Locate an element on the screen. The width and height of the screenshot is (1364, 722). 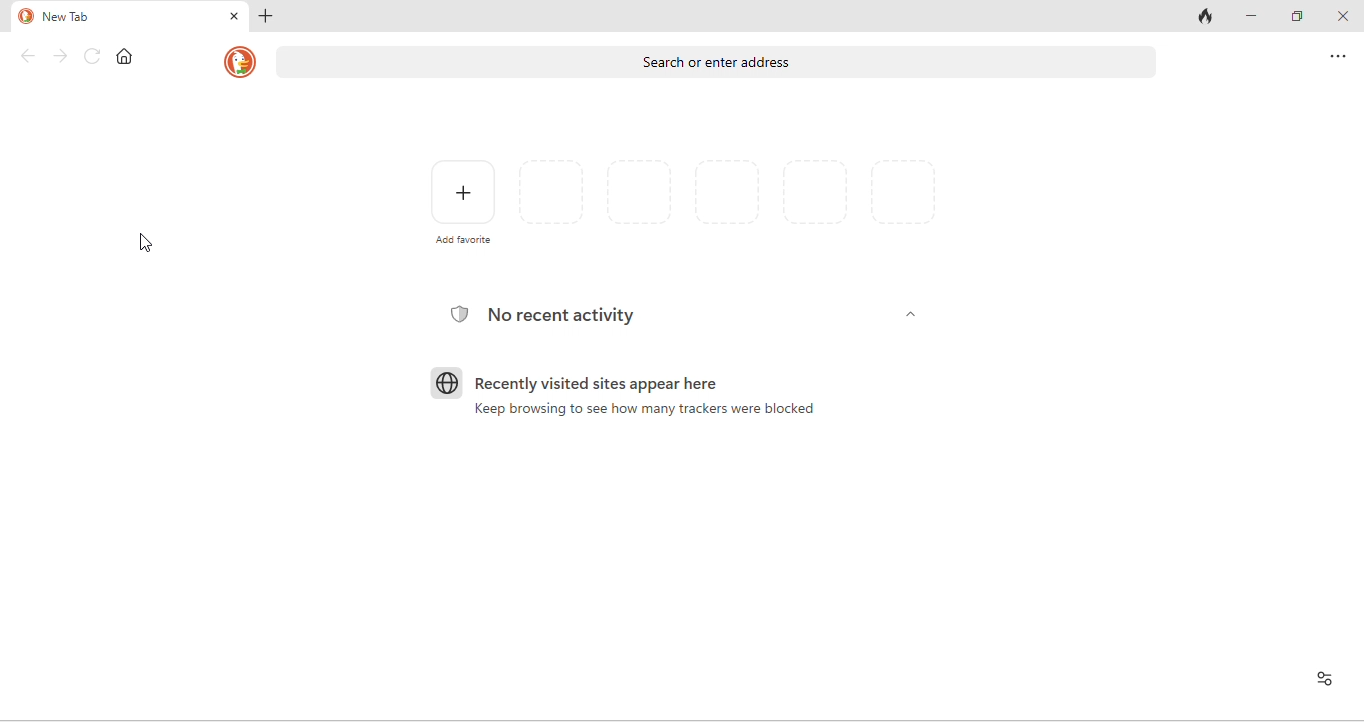
duckduckgo logo is located at coordinates (237, 64).